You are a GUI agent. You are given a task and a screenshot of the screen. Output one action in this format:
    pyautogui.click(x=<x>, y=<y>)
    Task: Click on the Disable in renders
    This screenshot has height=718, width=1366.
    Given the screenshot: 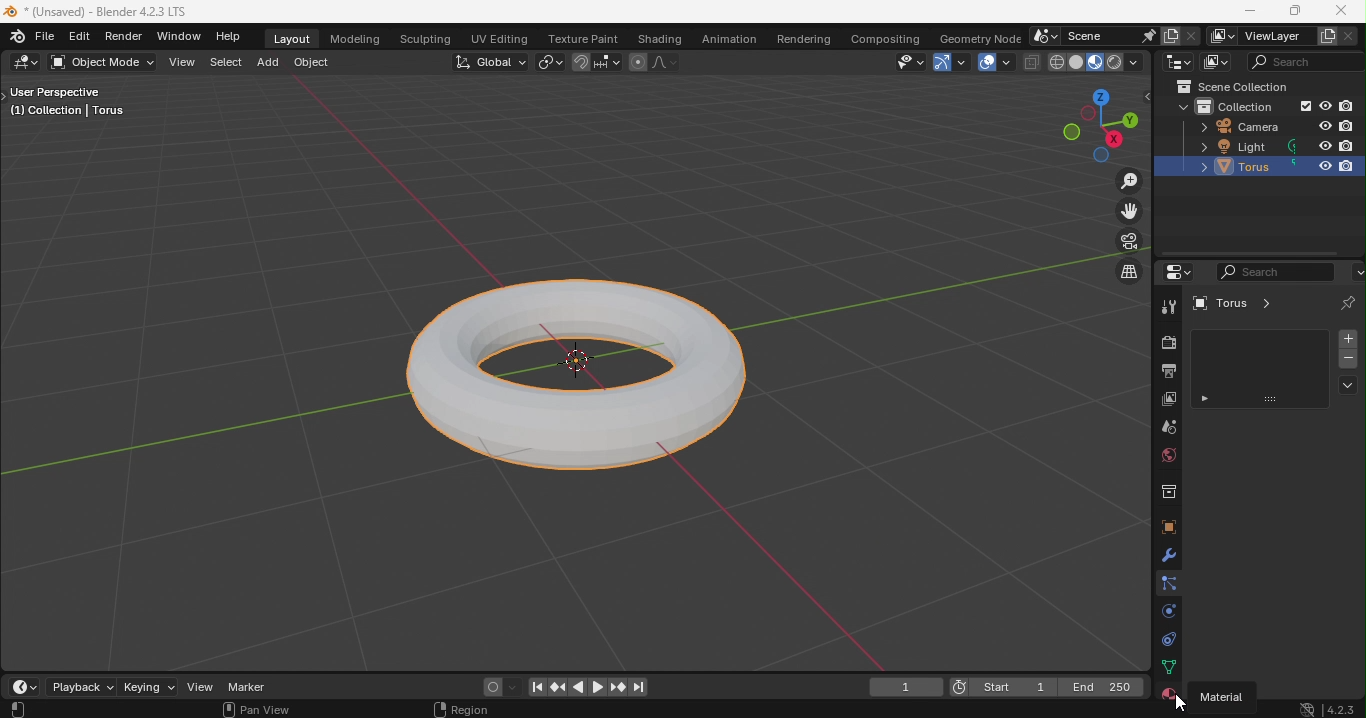 What is the action you would take?
    pyautogui.click(x=1348, y=146)
    